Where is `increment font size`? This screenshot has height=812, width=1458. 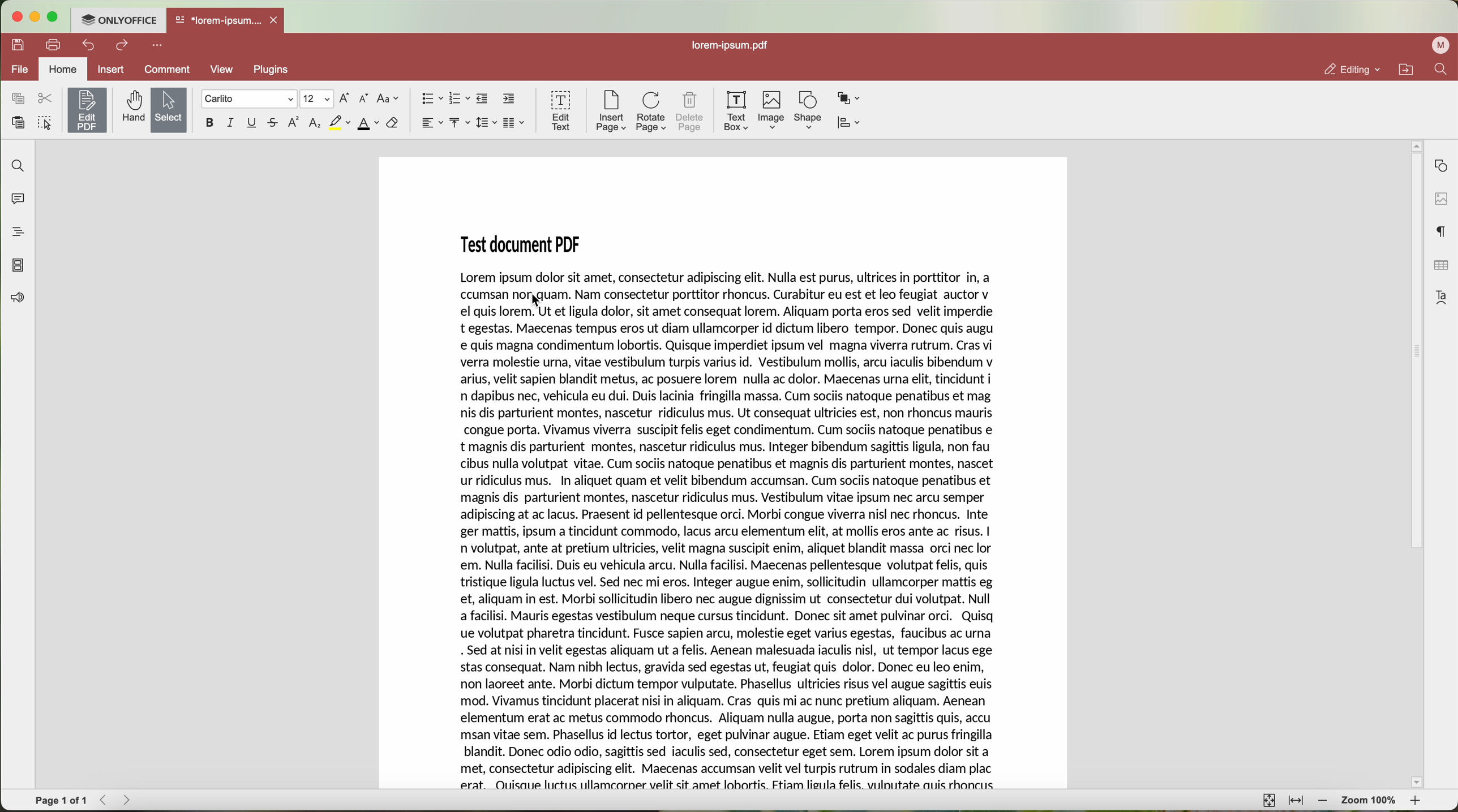
increment font size is located at coordinates (345, 98).